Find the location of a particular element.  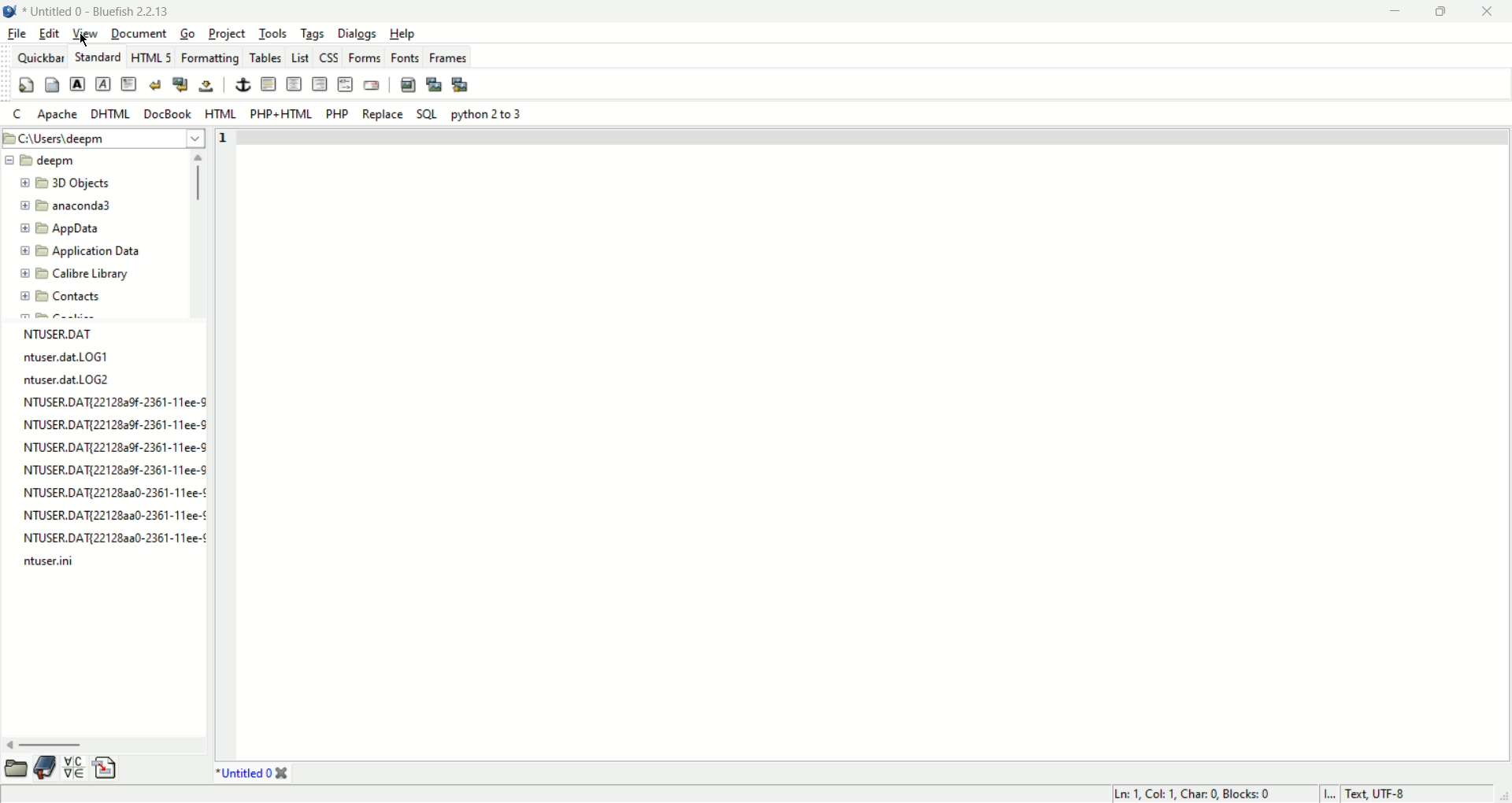

anaconda is located at coordinates (72, 208).